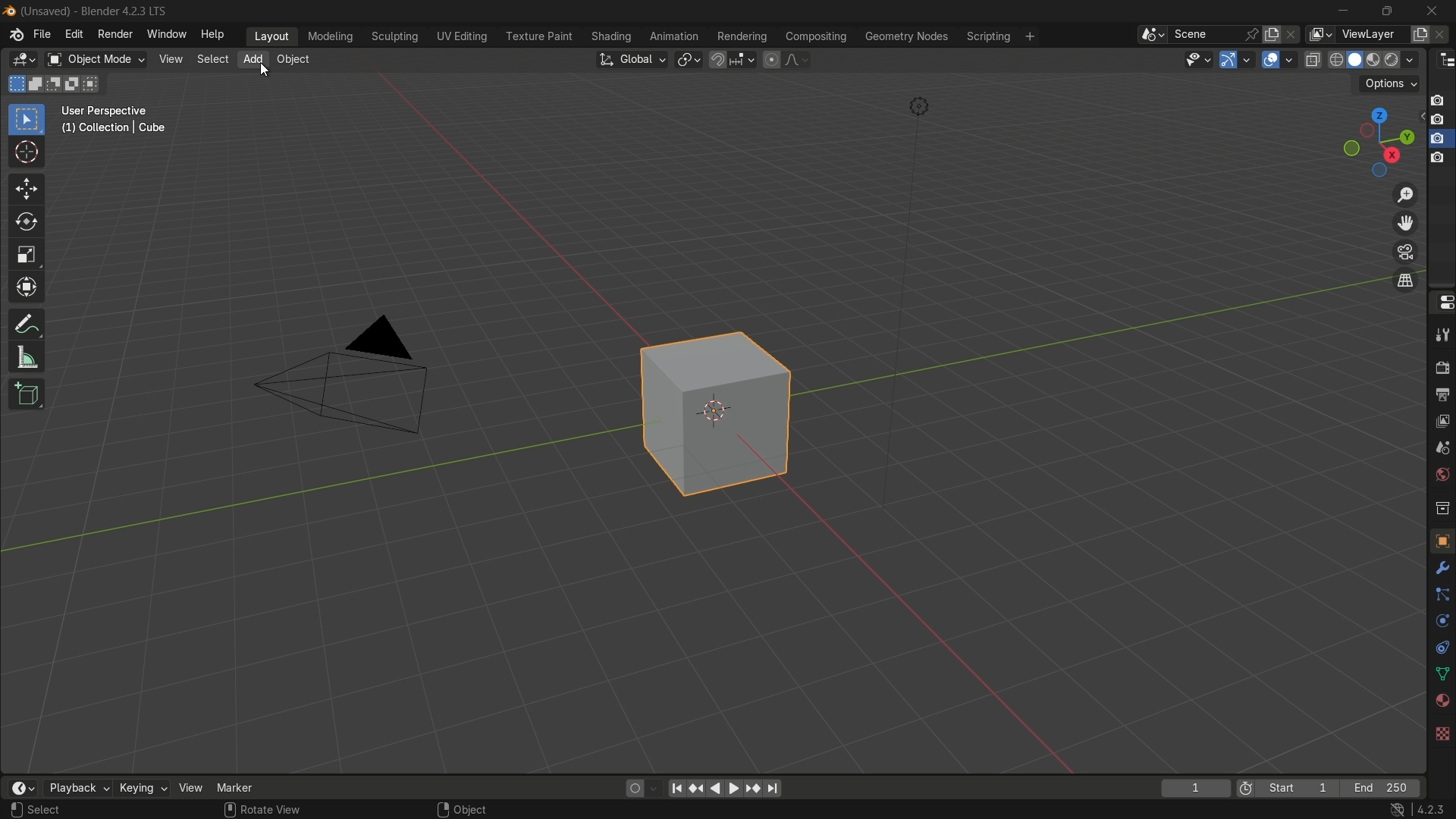 Image resolution: width=1456 pixels, height=819 pixels. Describe the element at coordinates (272, 36) in the screenshot. I see `layout` at that location.